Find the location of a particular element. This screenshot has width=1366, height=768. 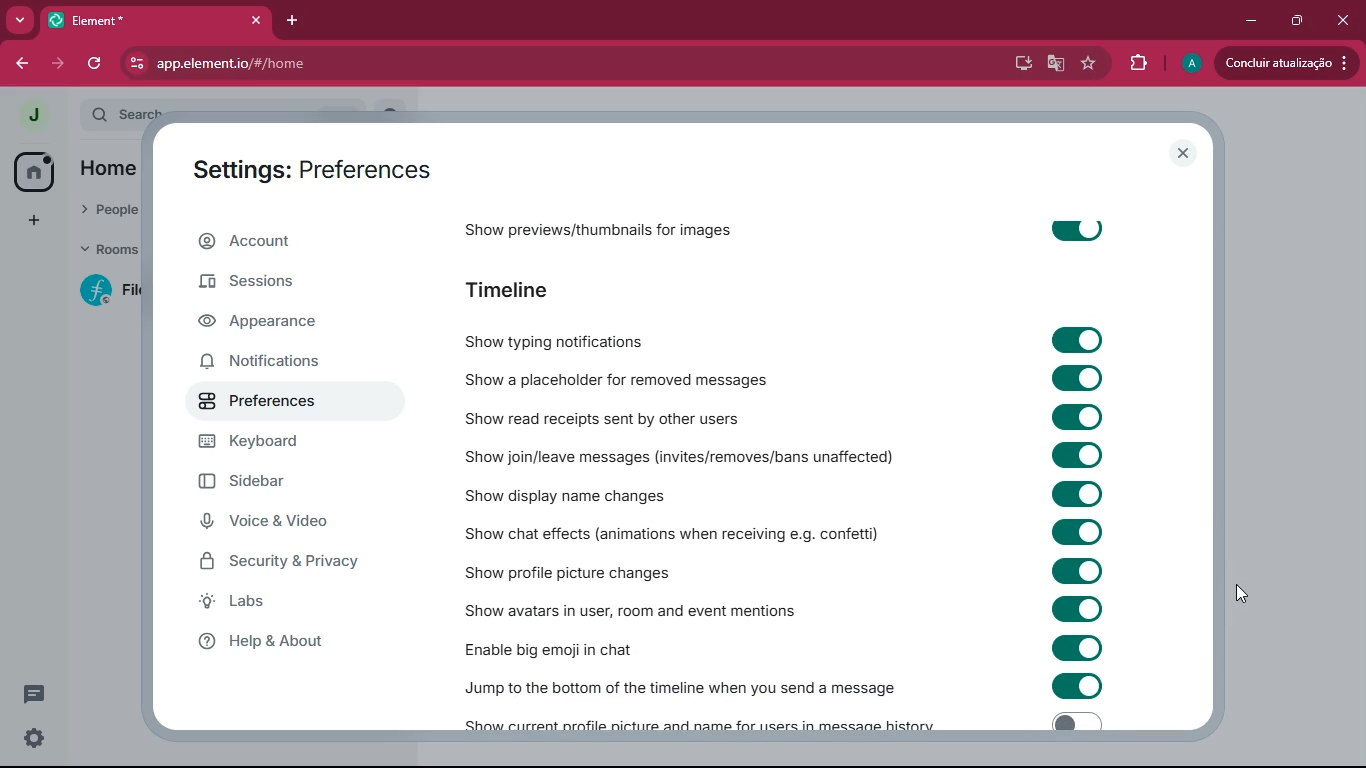

show a placeholder for removed messages is located at coordinates (621, 377).